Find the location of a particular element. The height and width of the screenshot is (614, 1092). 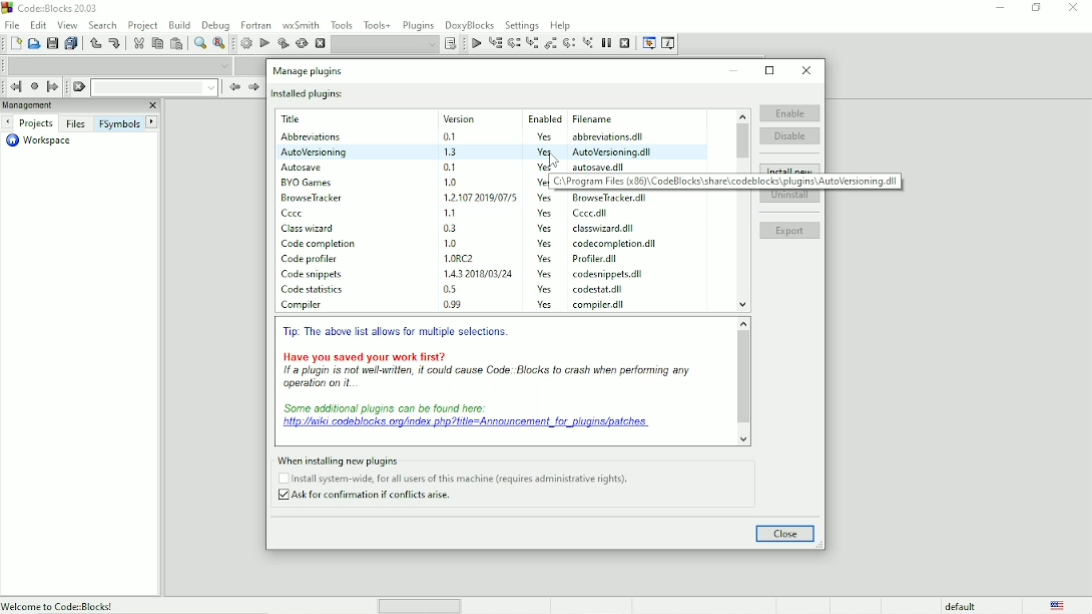

DoxyBlocks is located at coordinates (470, 24).